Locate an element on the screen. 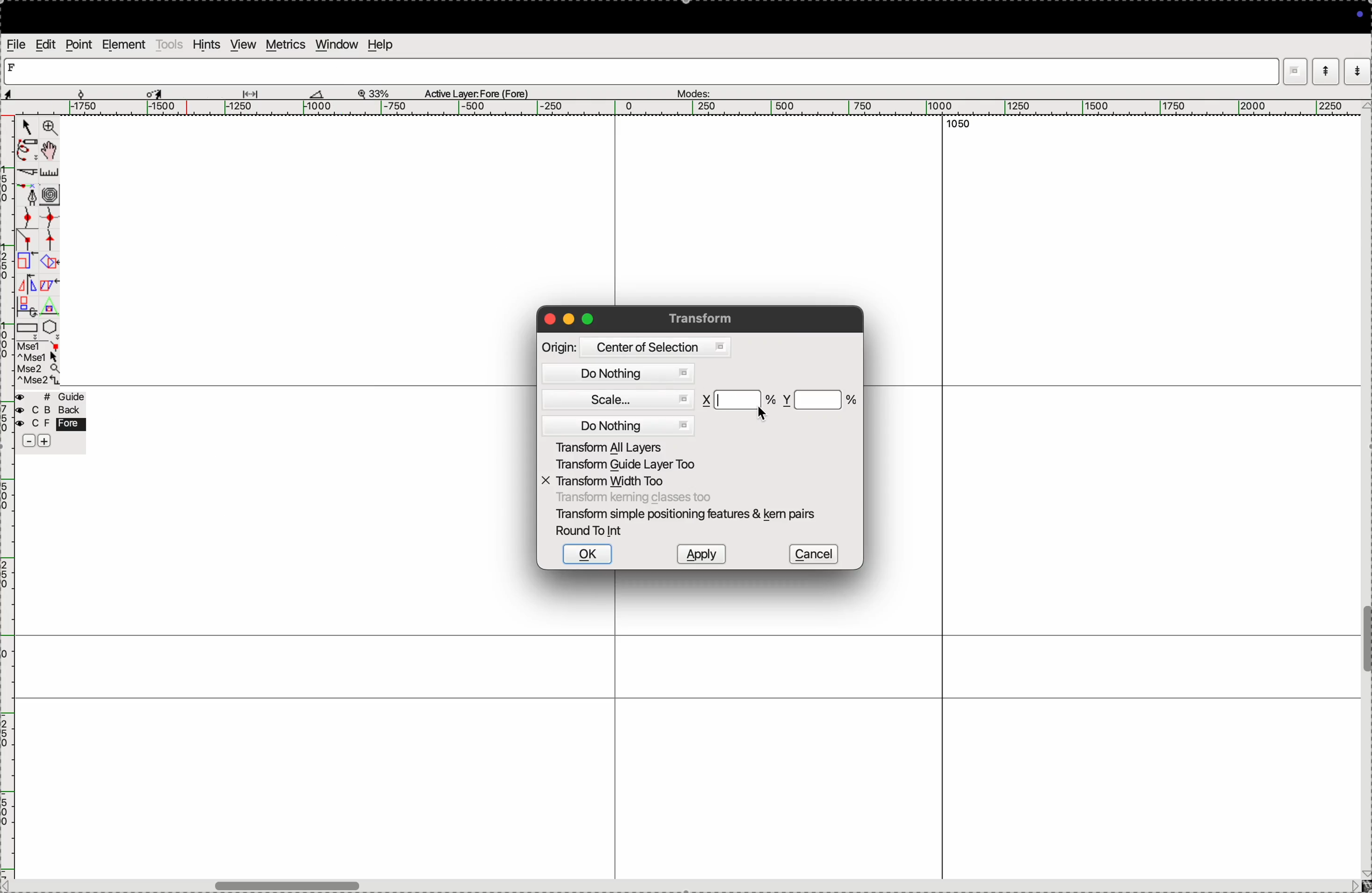 This screenshot has width=1372, height=893. scale is located at coordinates (618, 399).